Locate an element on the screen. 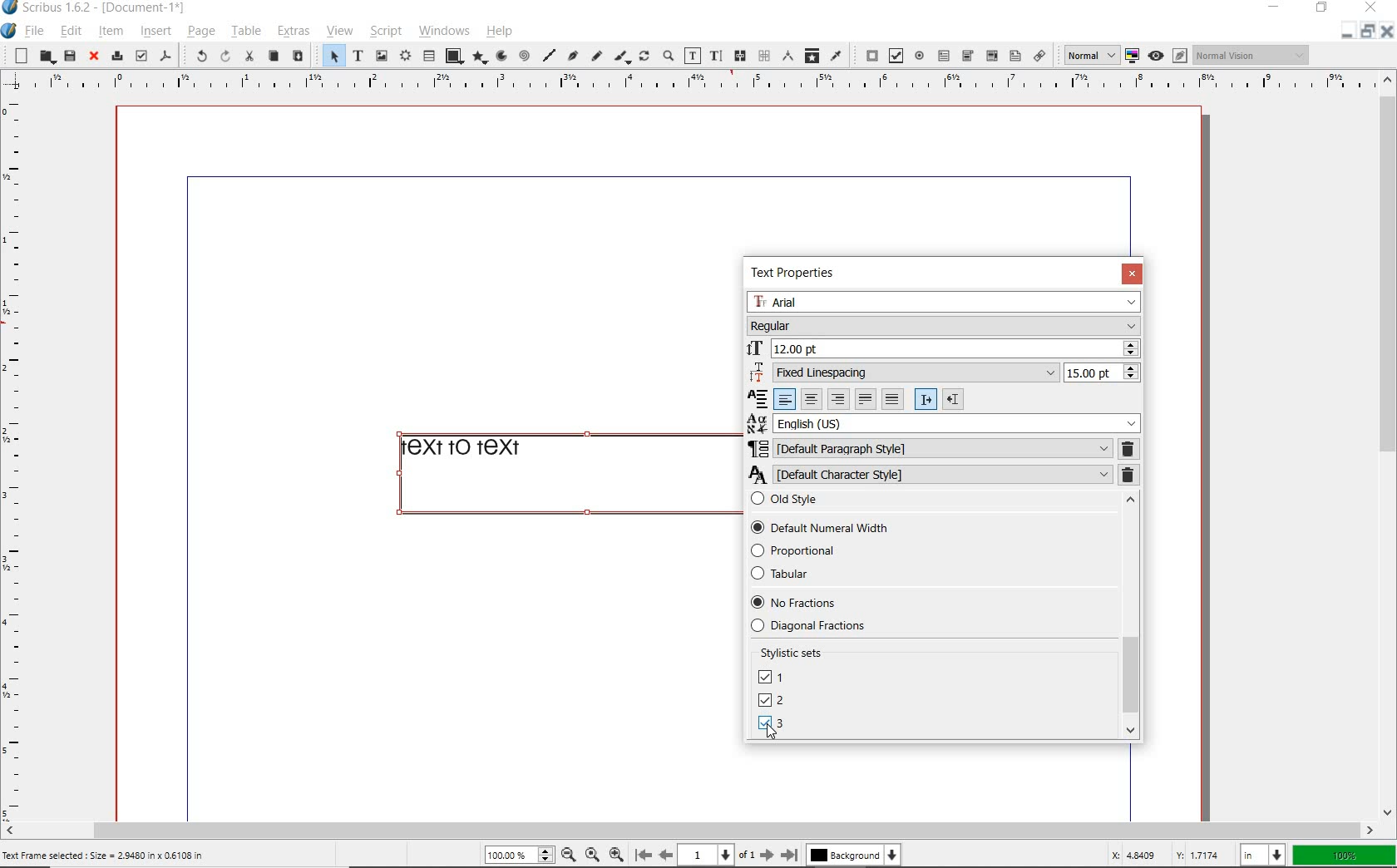 The image size is (1397, 868). scrollbar is located at coordinates (1387, 445).